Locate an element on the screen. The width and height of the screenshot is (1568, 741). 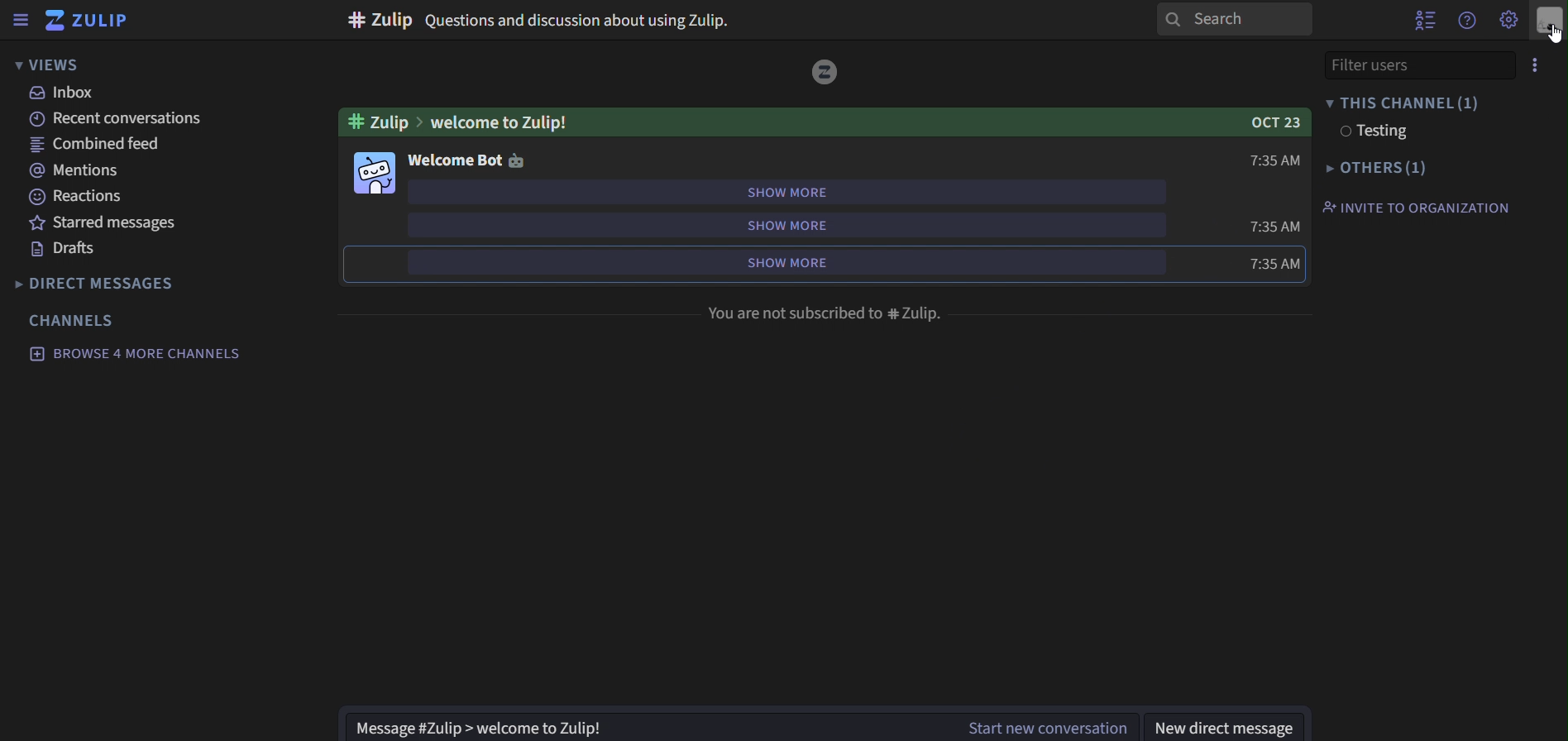
show more is located at coordinates (786, 190).